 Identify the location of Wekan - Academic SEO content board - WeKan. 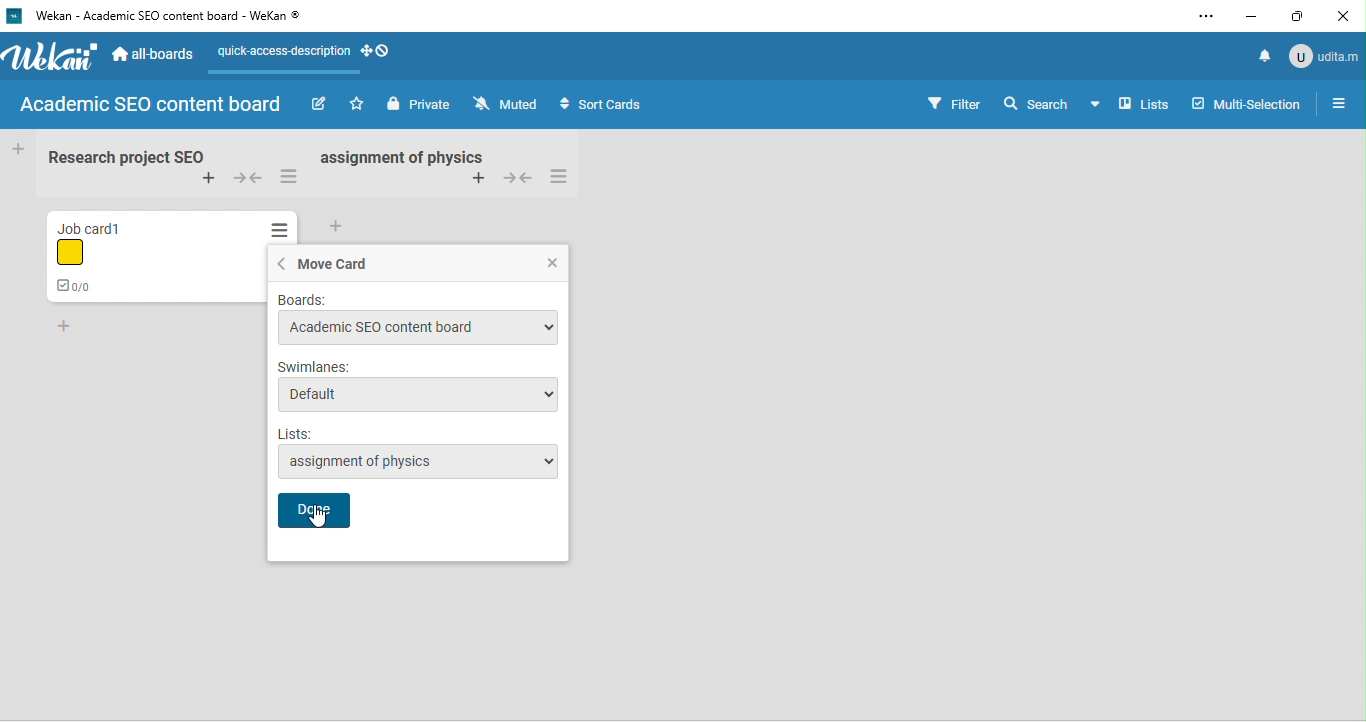
(167, 20).